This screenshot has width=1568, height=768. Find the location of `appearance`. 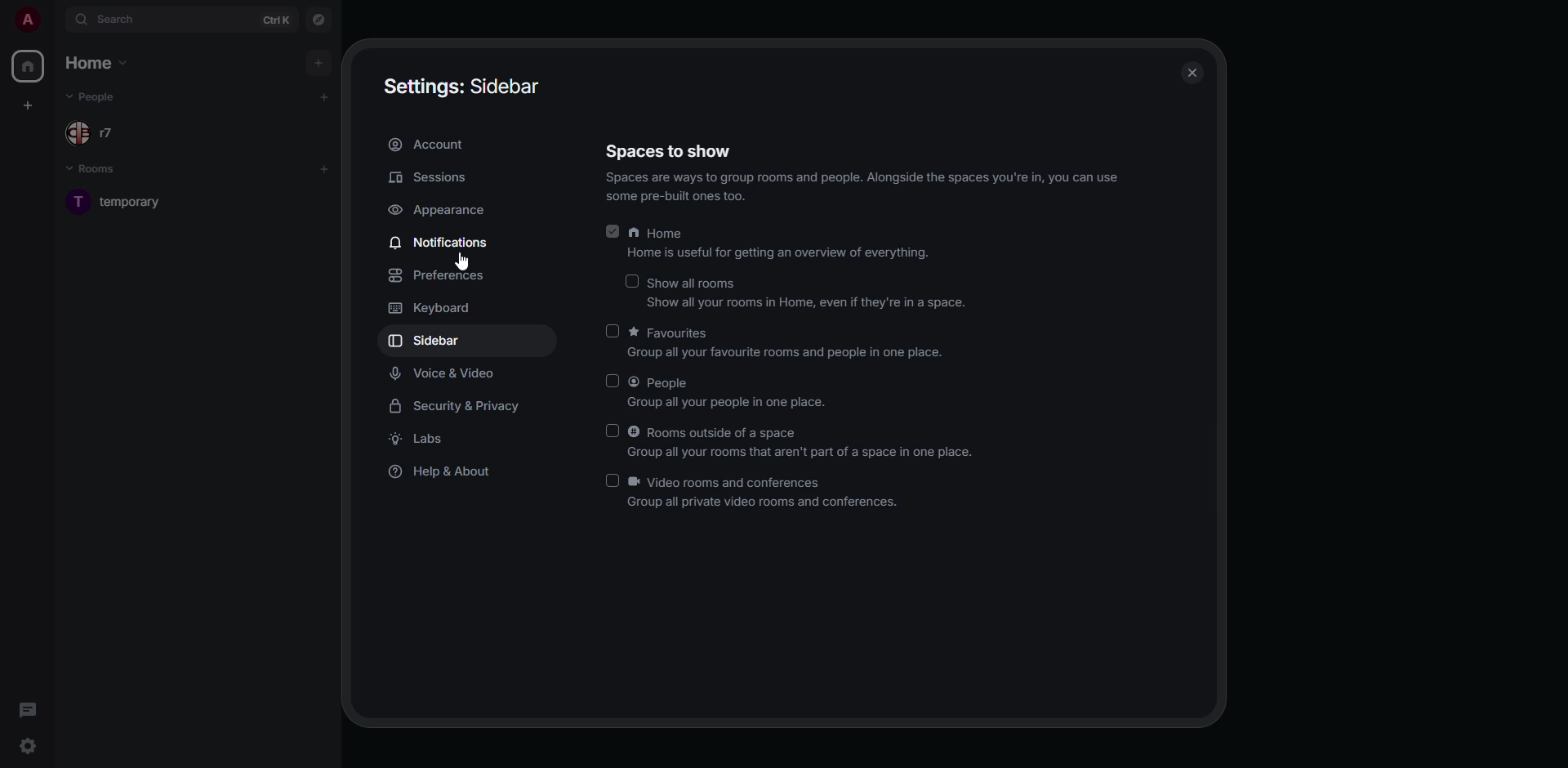

appearance is located at coordinates (441, 209).